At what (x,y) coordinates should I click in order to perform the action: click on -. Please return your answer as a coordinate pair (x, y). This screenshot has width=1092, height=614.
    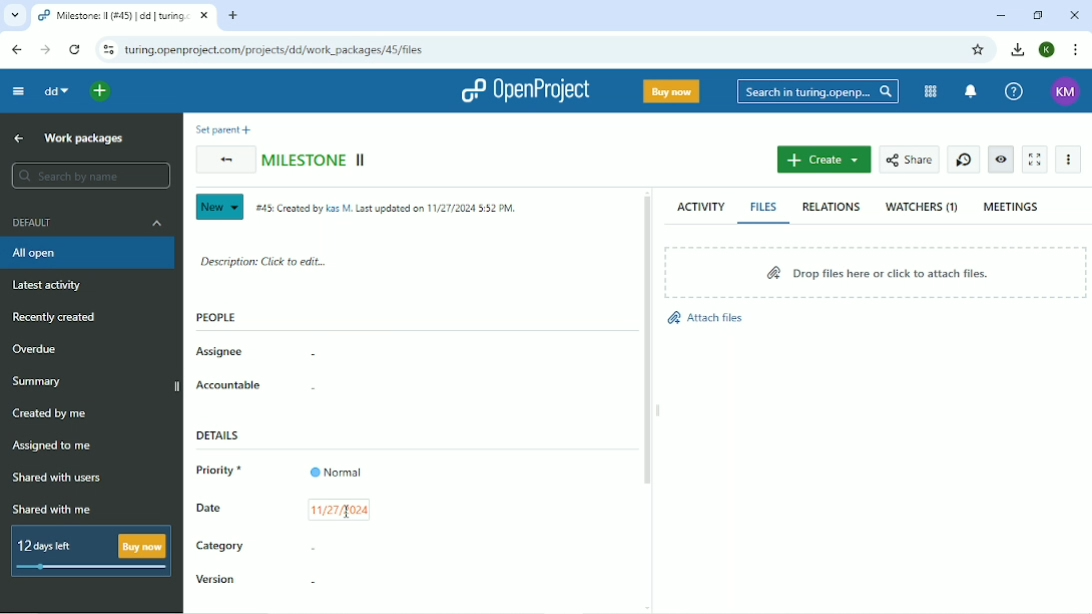
    Looking at the image, I should click on (311, 582).